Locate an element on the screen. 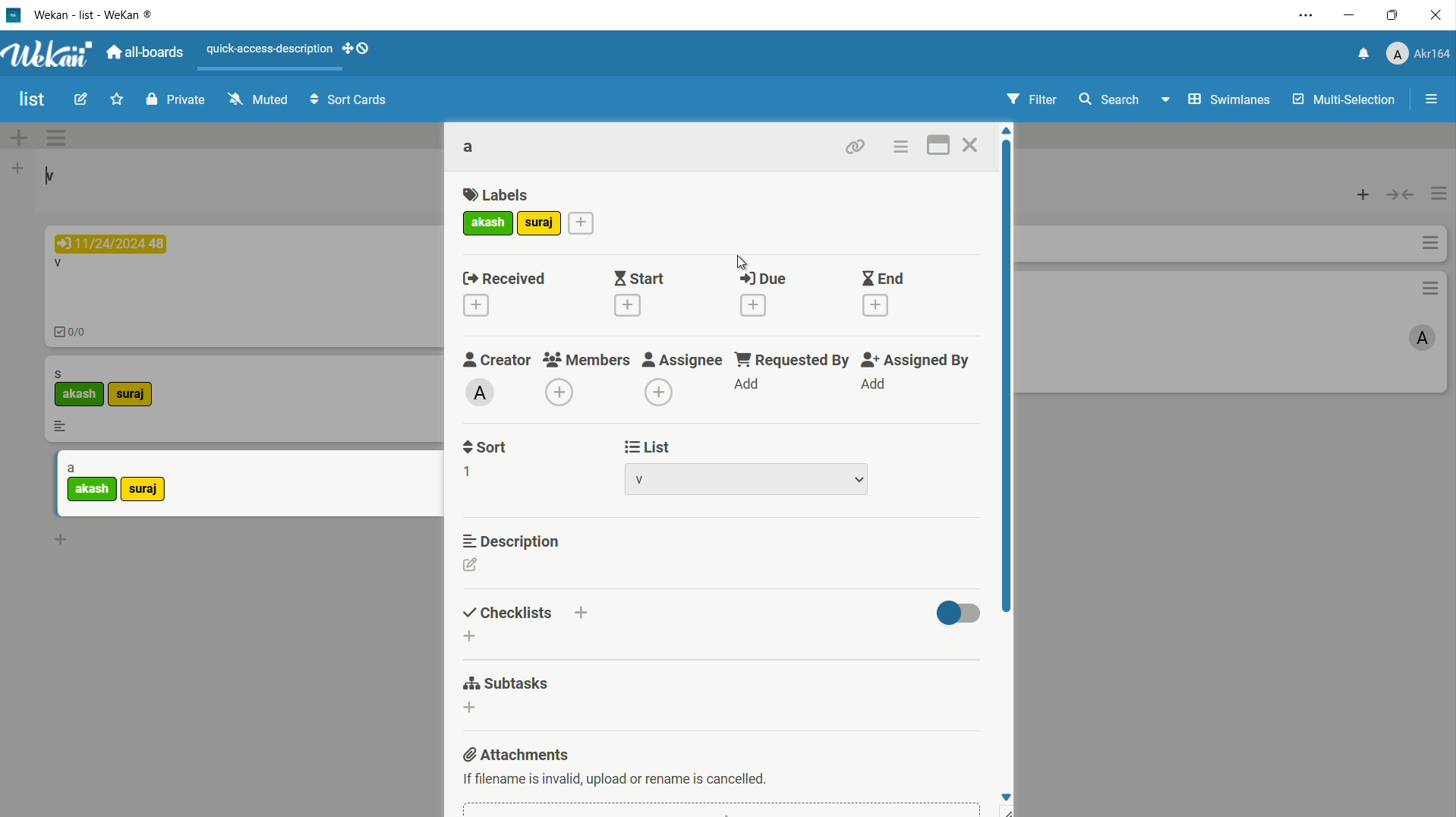 Image resolution: width=1456 pixels, height=817 pixels. A is located at coordinates (1412, 339).